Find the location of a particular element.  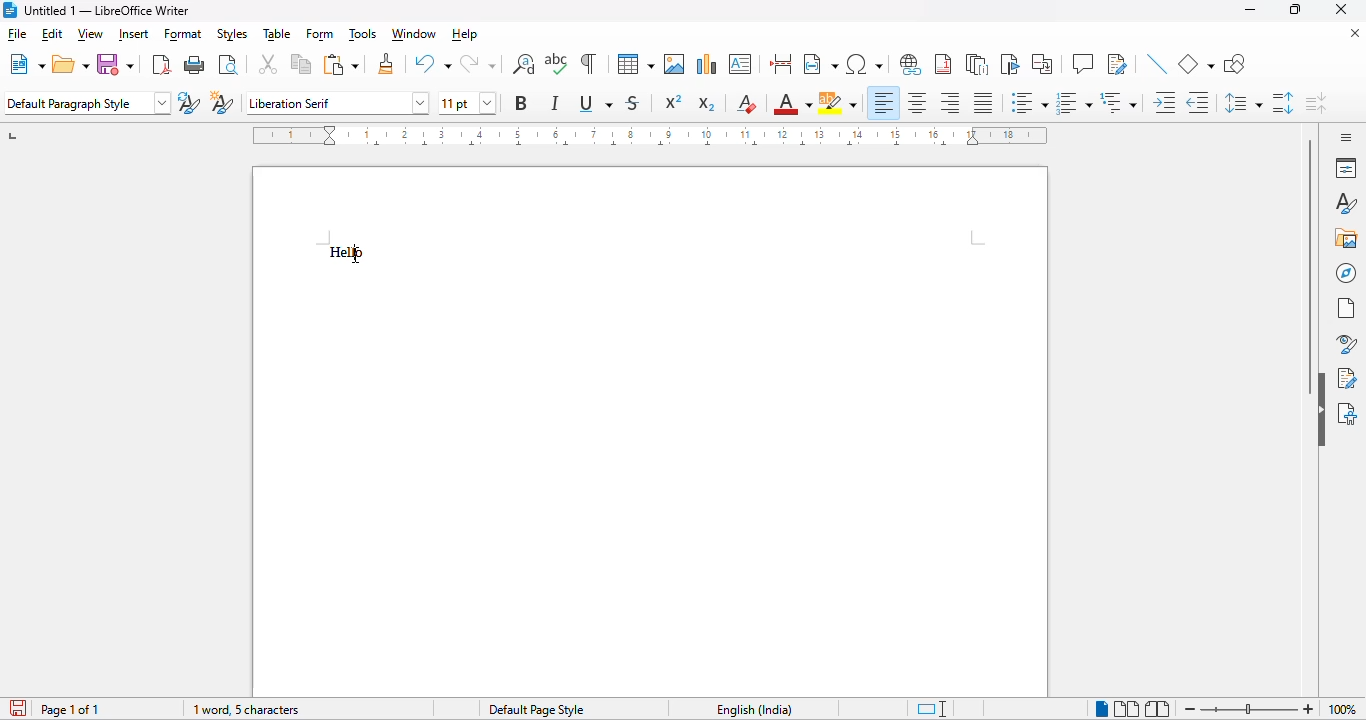

the document has not been modified since the last save is located at coordinates (16, 708).